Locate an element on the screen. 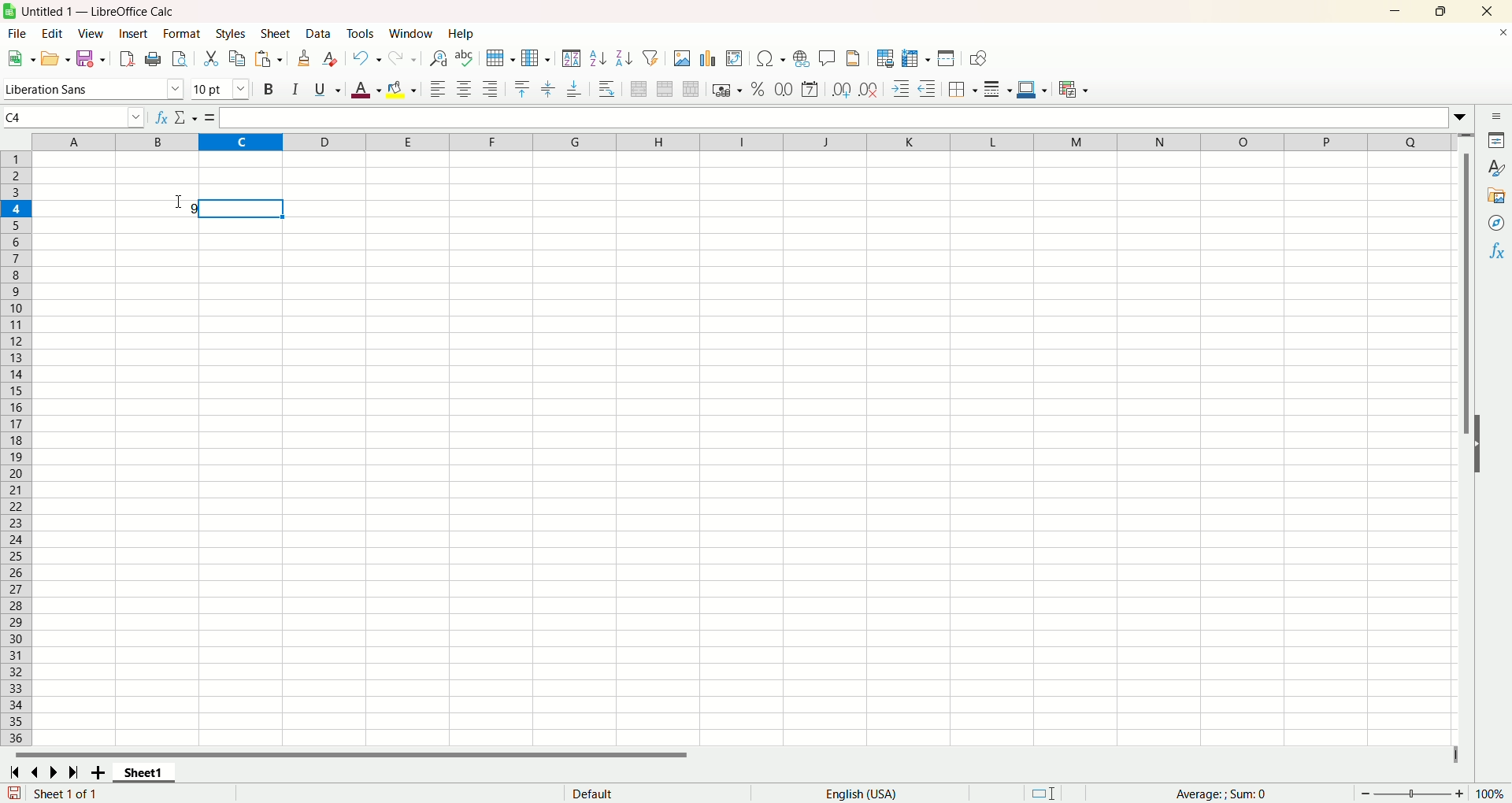 This screenshot has height=803, width=1512. center vertically is located at coordinates (550, 87).